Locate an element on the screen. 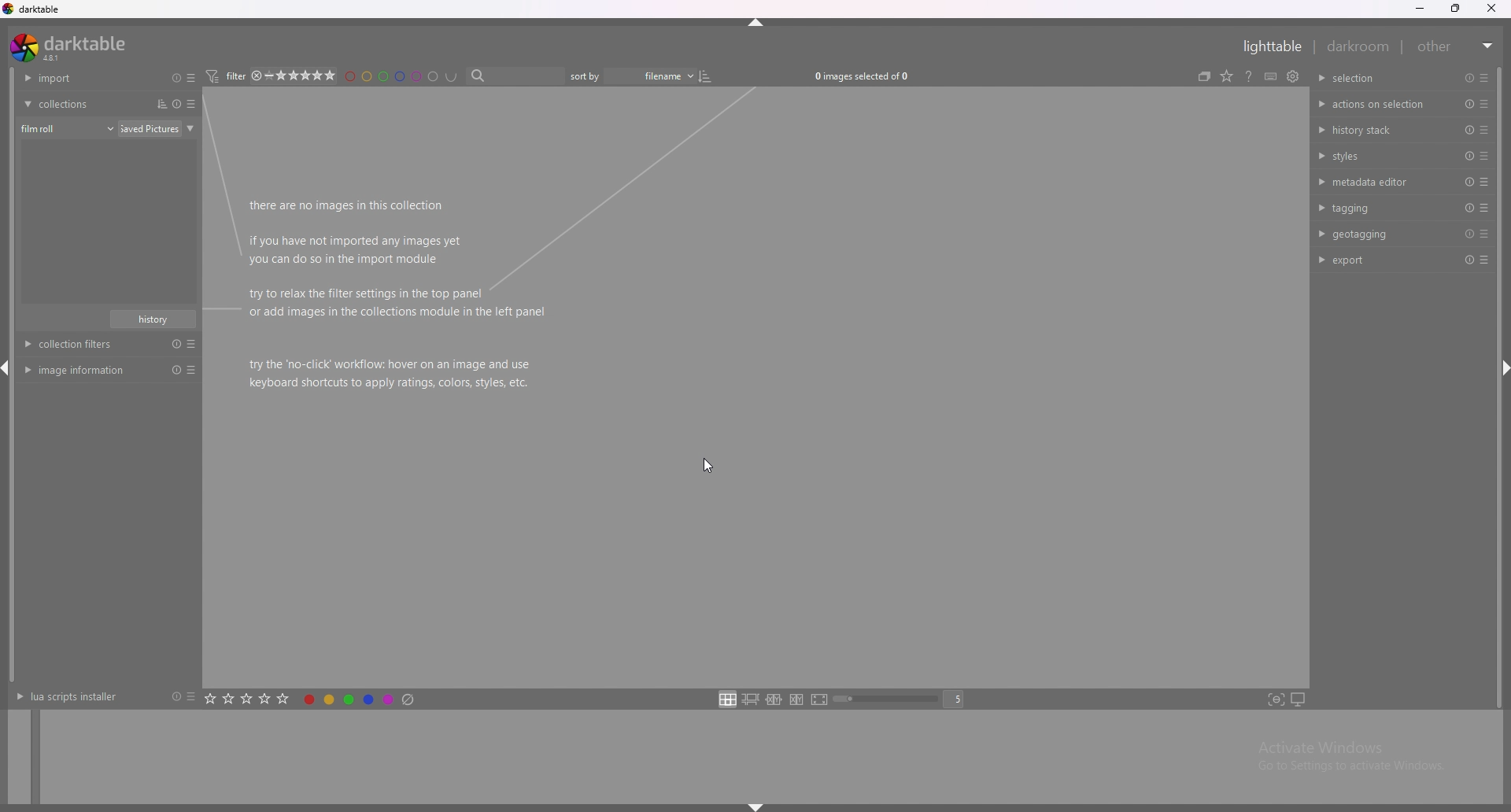   is located at coordinates (1486, 209).